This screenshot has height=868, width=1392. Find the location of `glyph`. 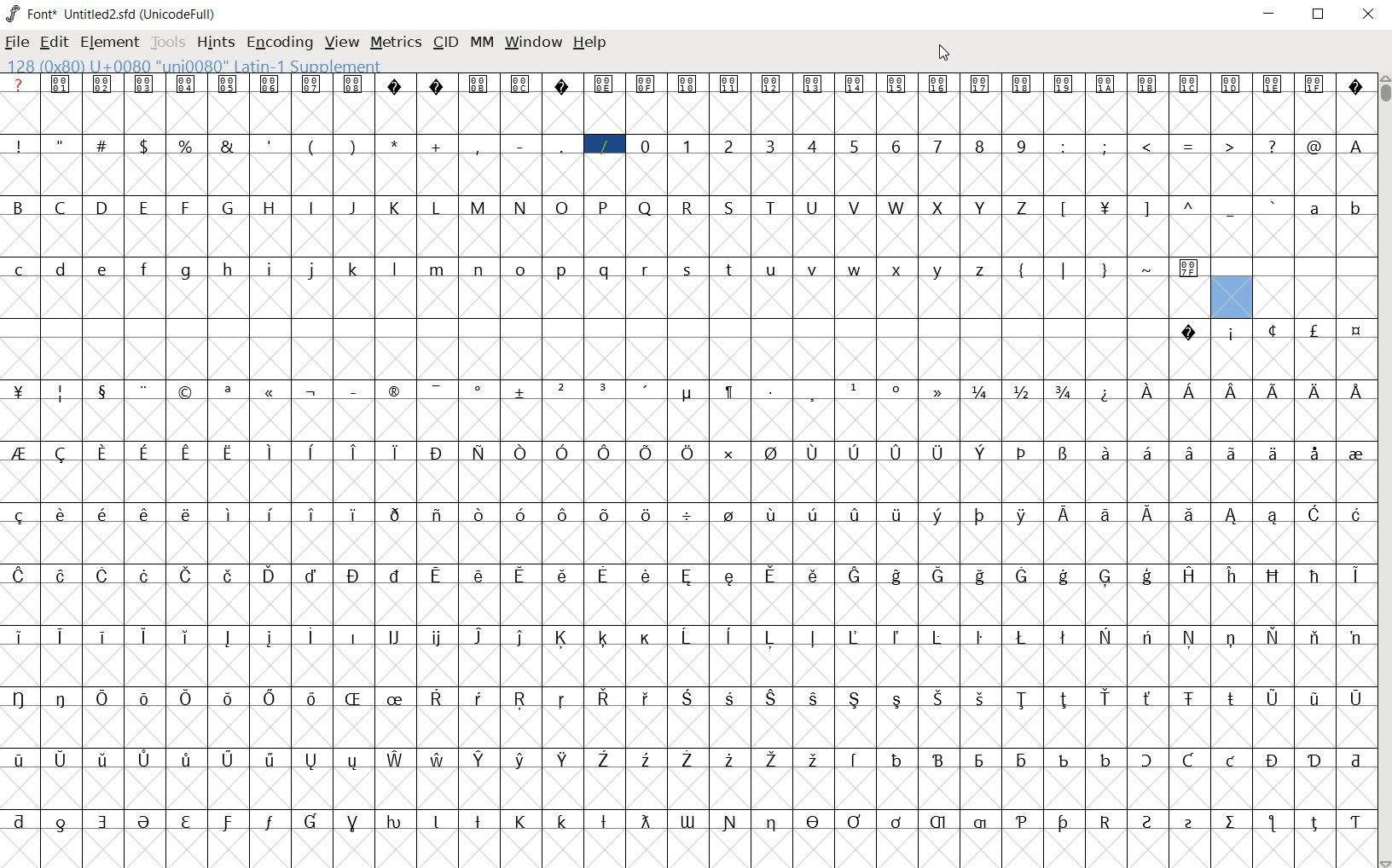

glyph is located at coordinates (437, 86).